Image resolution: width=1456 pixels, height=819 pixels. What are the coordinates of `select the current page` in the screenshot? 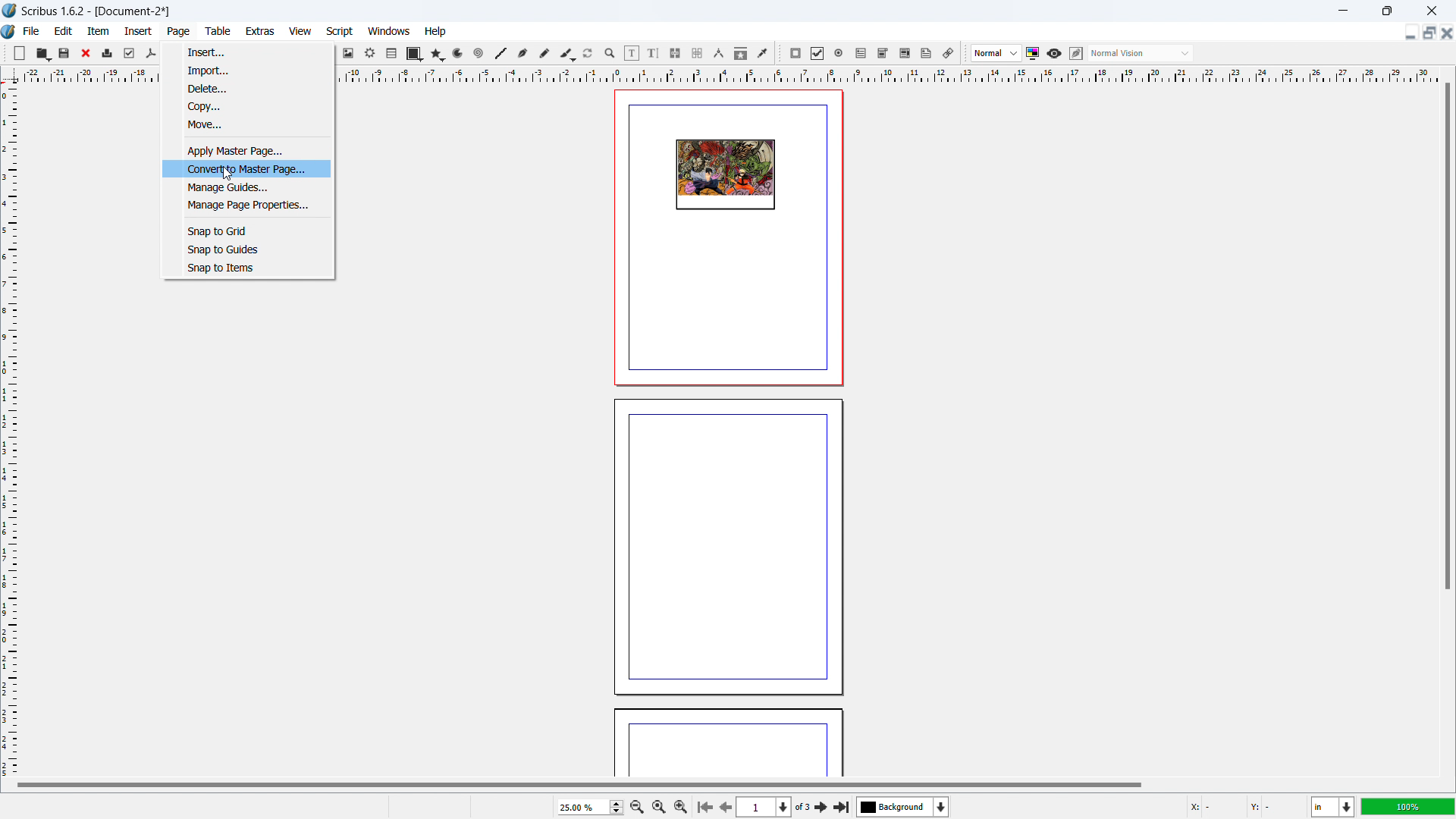 It's located at (764, 808).